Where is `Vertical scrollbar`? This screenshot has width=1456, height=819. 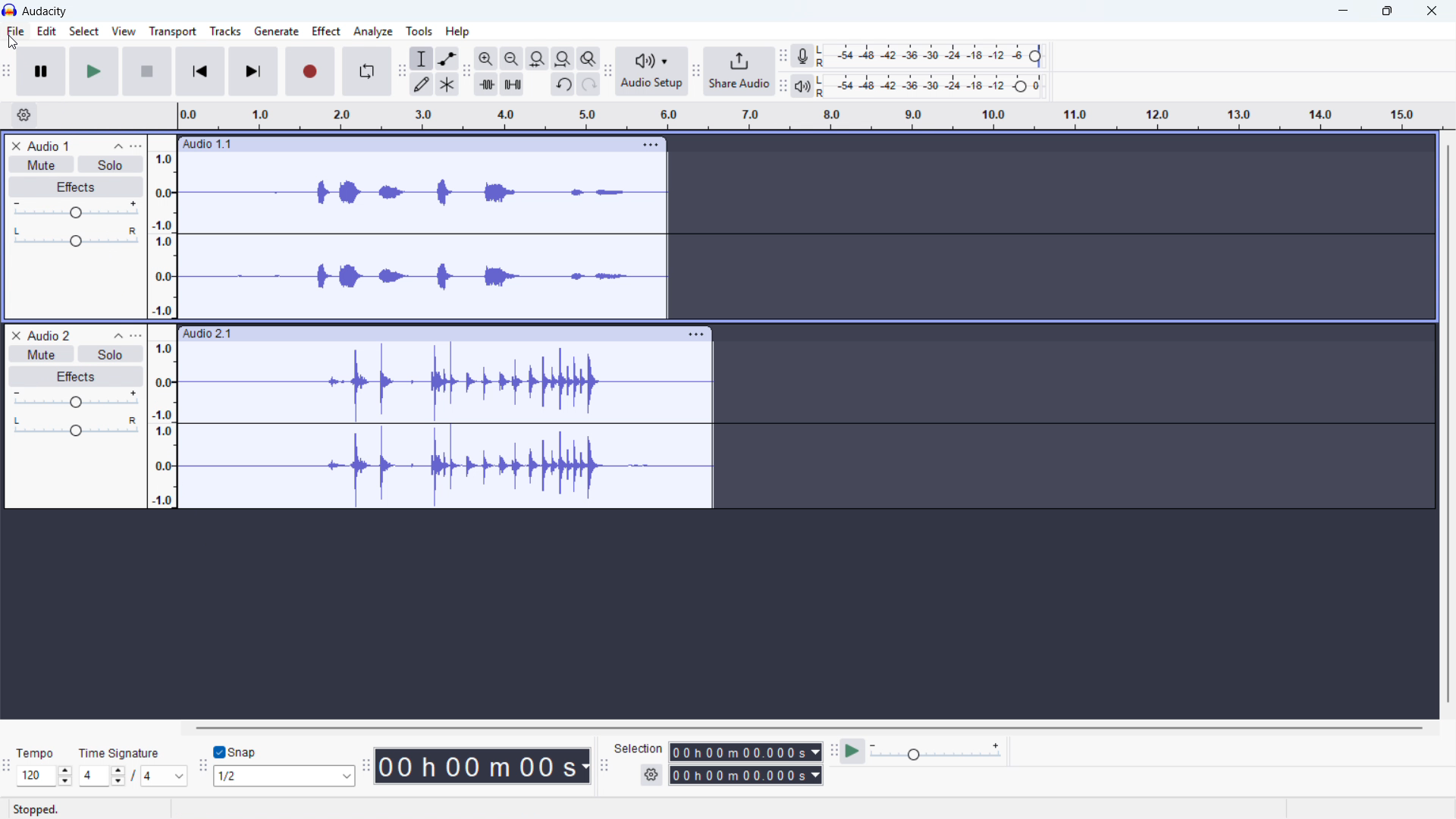 Vertical scrollbar is located at coordinates (1448, 424).